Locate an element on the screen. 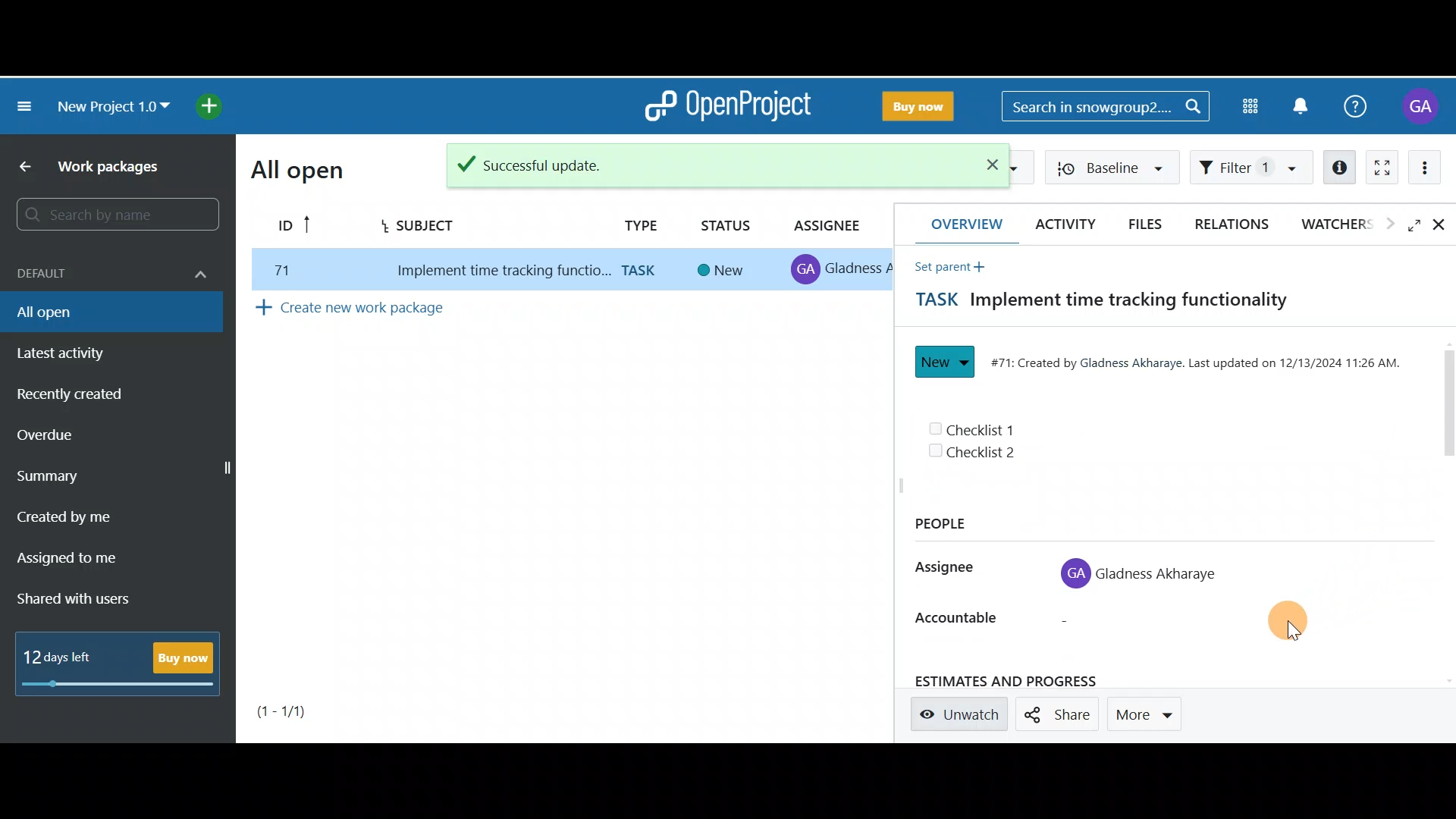 This screenshot has width=1456, height=819. Activity is located at coordinates (1062, 224).